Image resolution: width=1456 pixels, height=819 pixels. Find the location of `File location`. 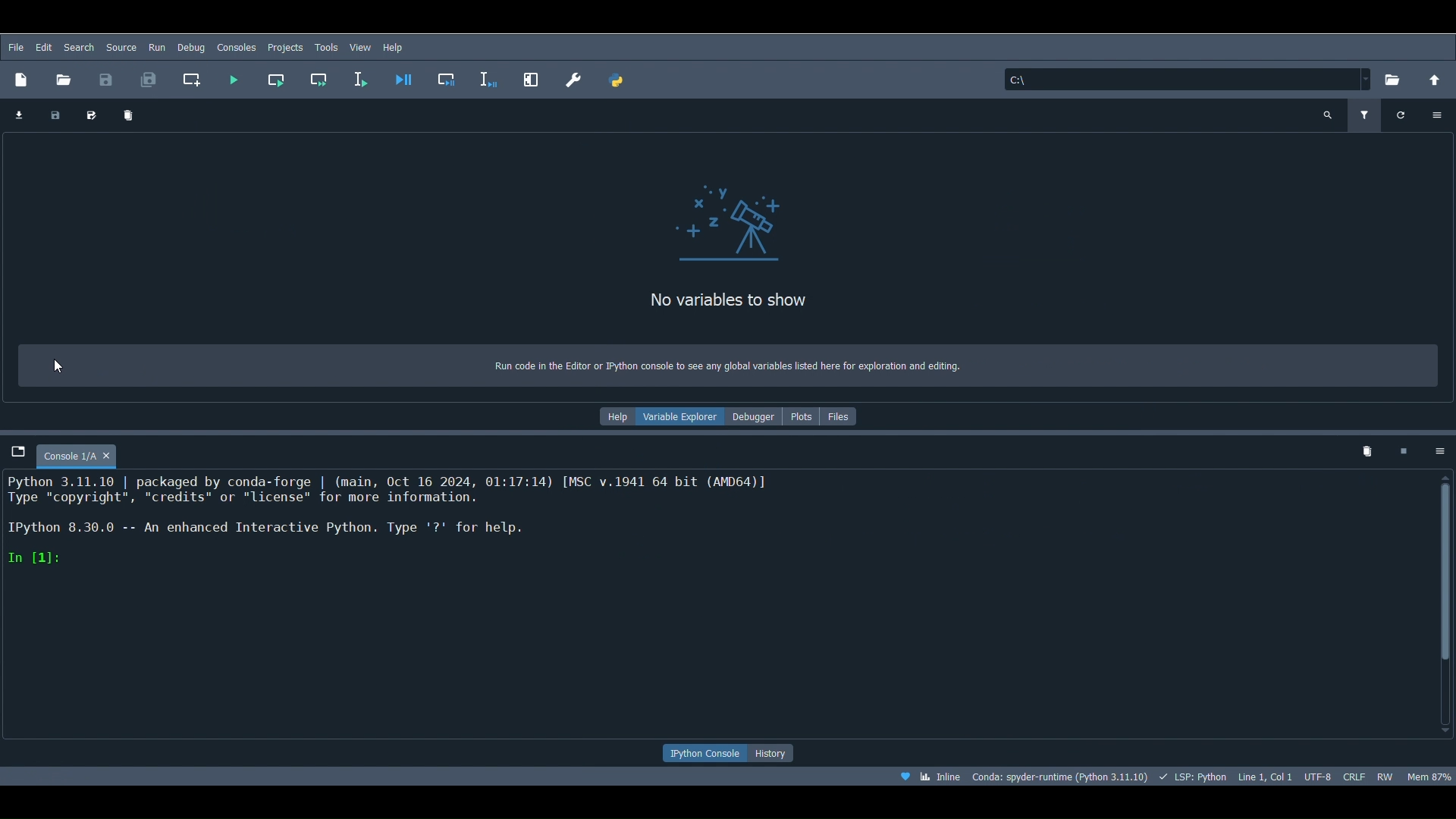

File location is located at coordinates (1188, 77).